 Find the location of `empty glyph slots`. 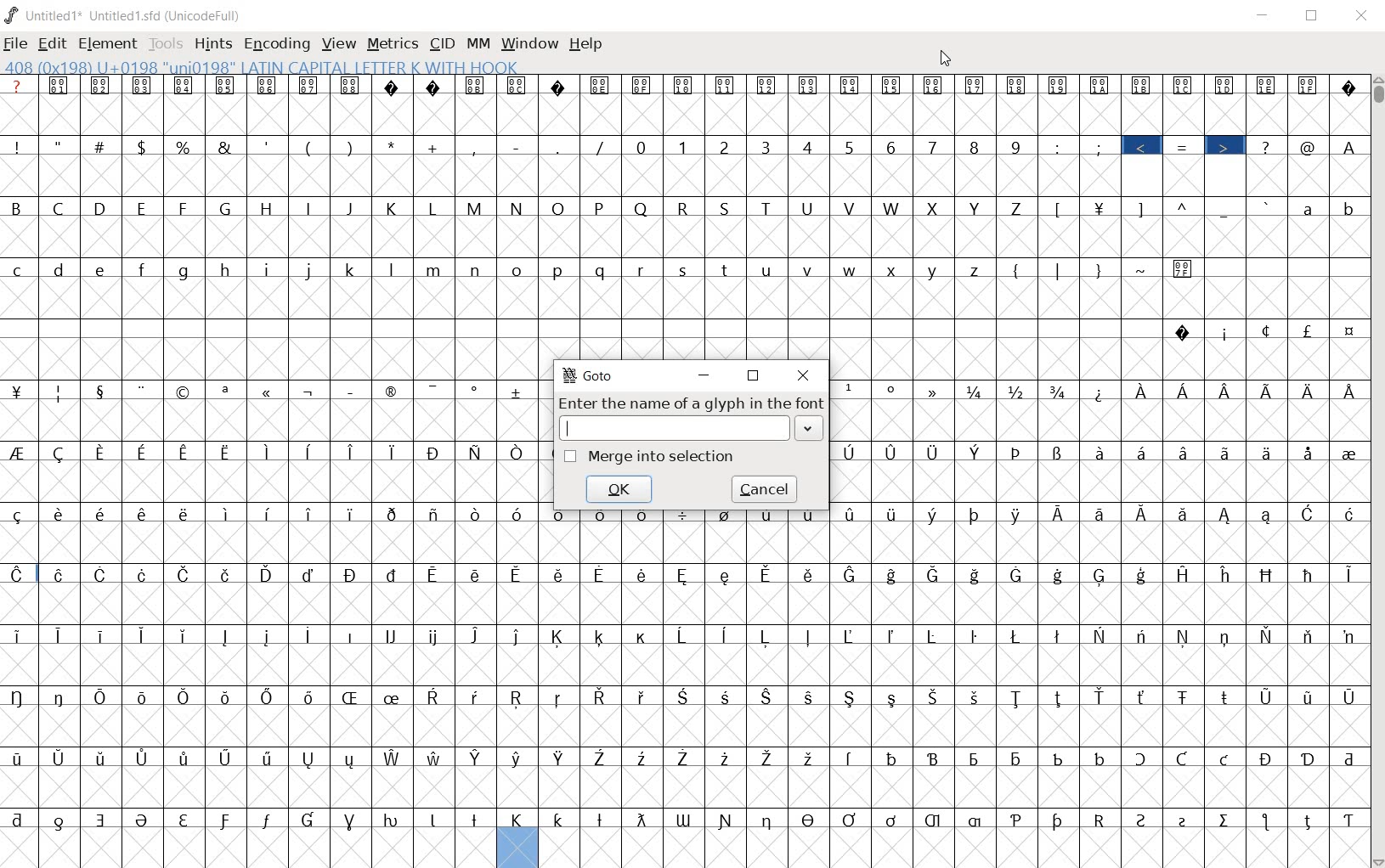

empty glyph slots is located at coordinates (684, 603).